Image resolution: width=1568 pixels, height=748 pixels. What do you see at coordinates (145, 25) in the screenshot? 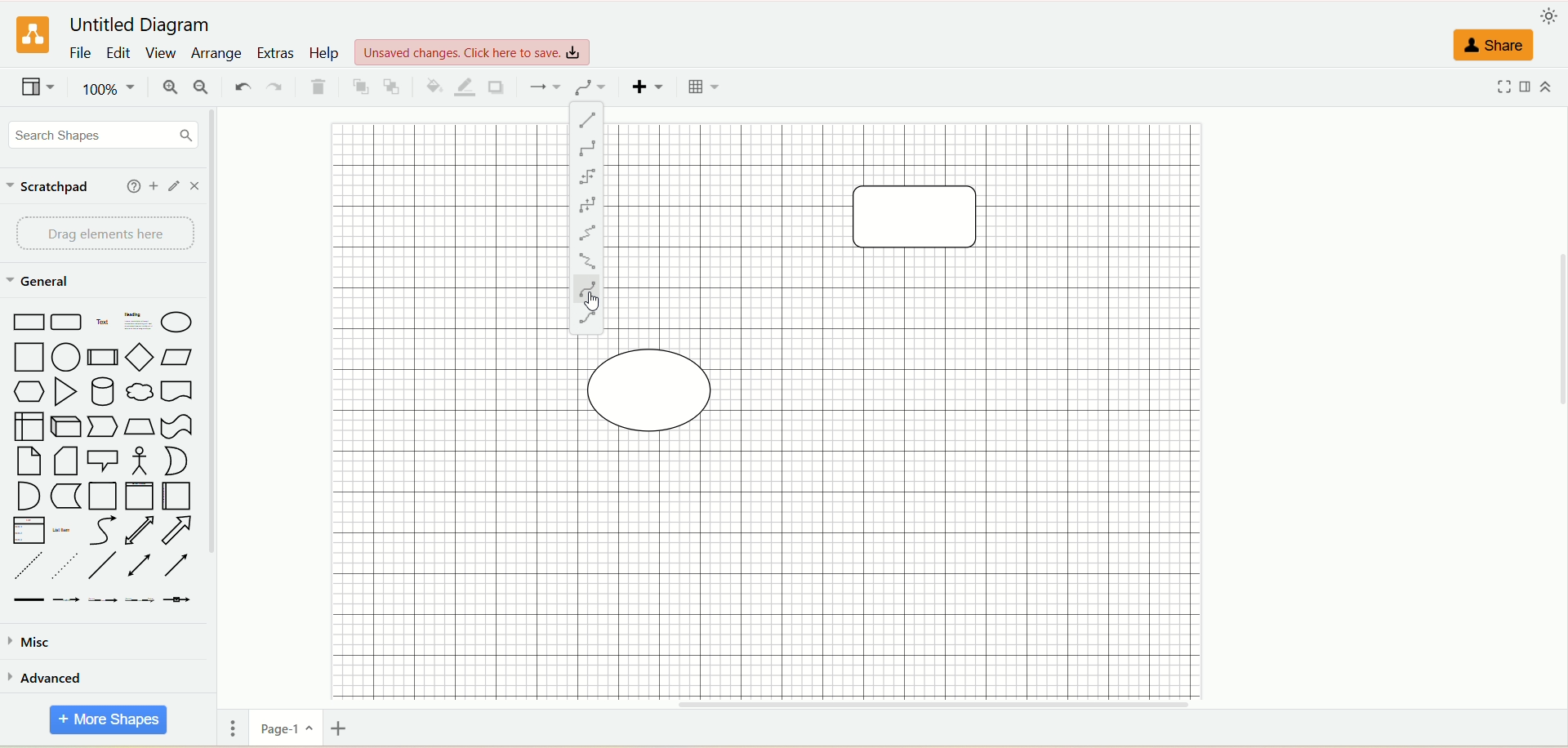
I see `title` at bounding box center [145, 25].